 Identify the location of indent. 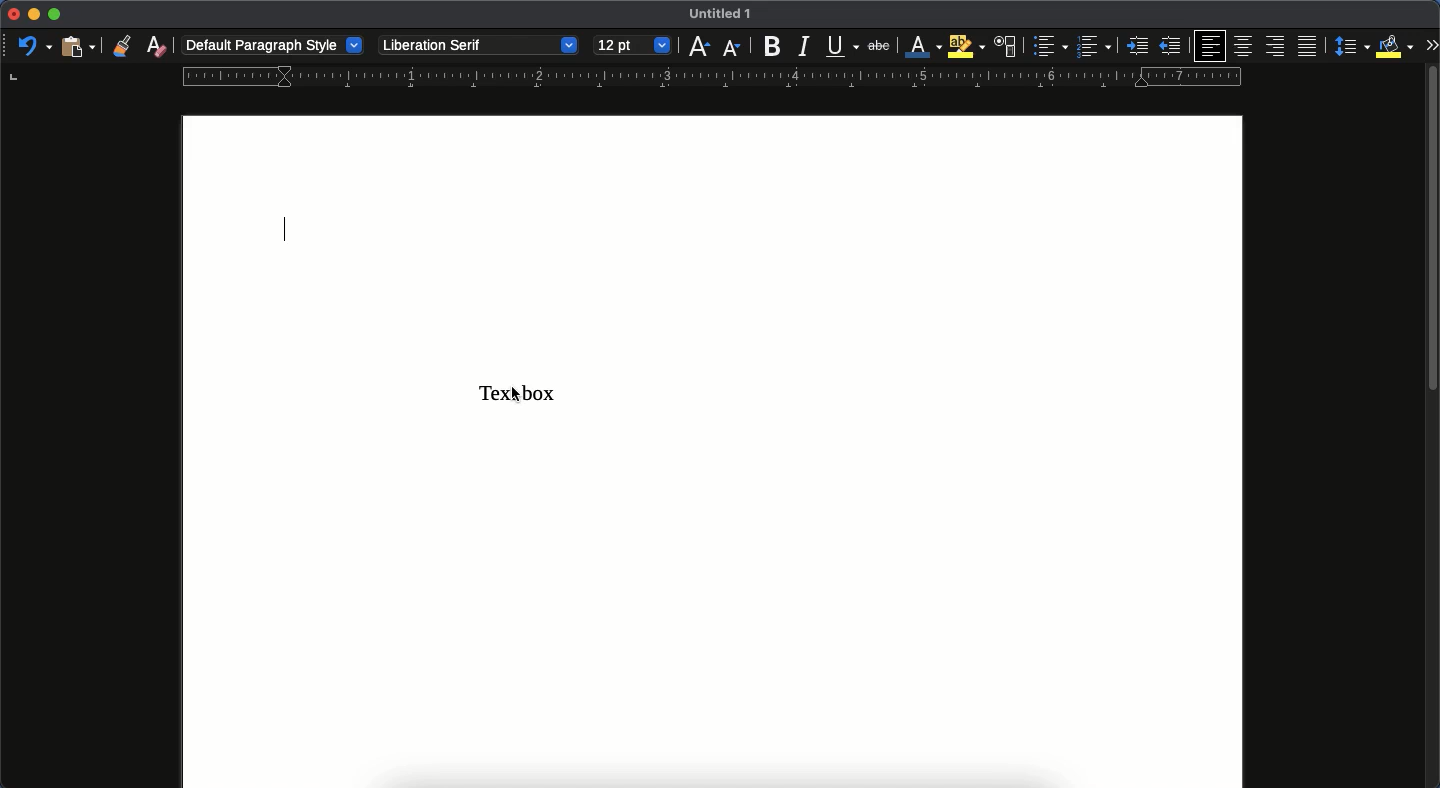
(1135, 47).